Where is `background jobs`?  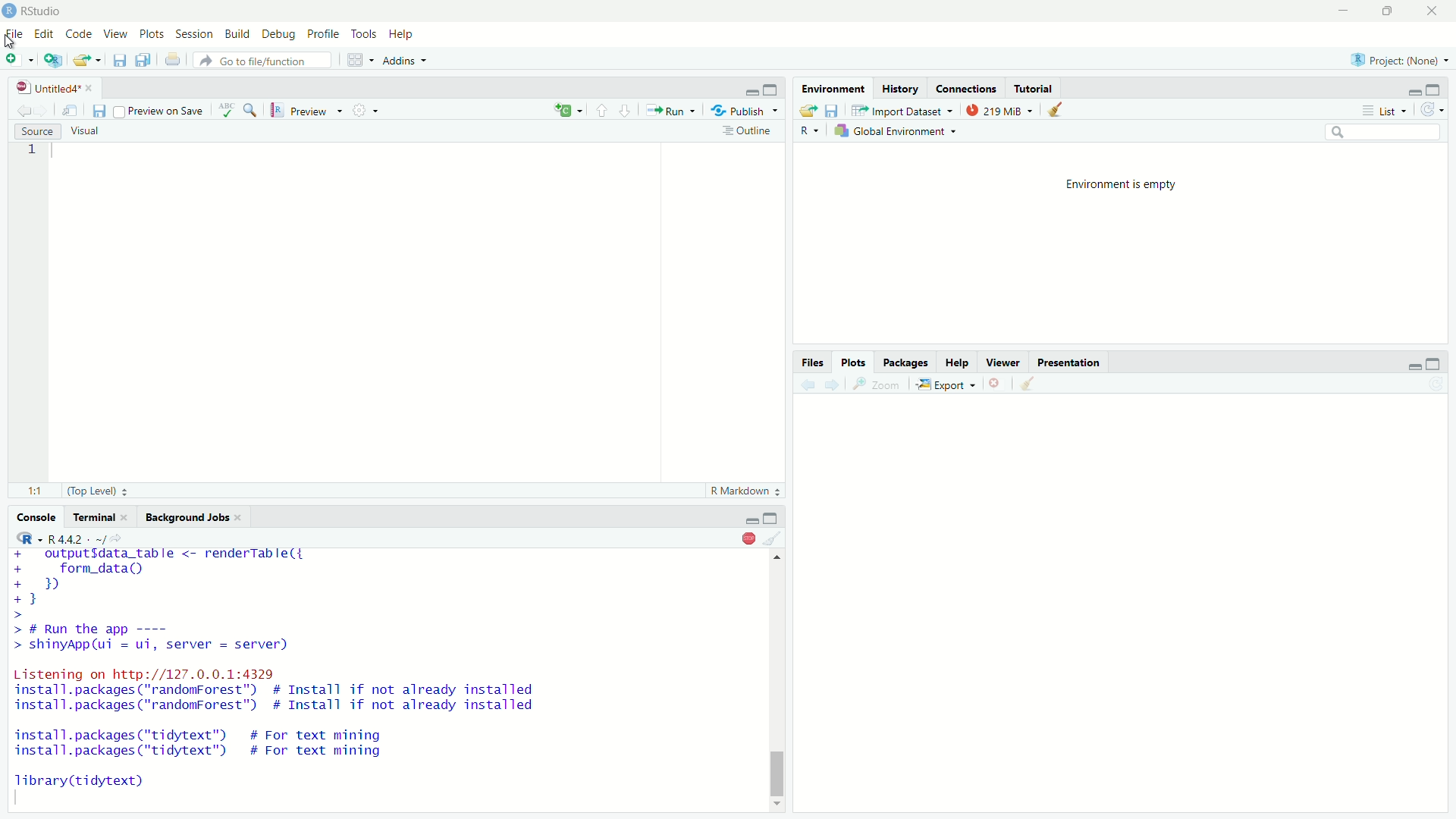
background jobs is located at coordinates (196, 516).